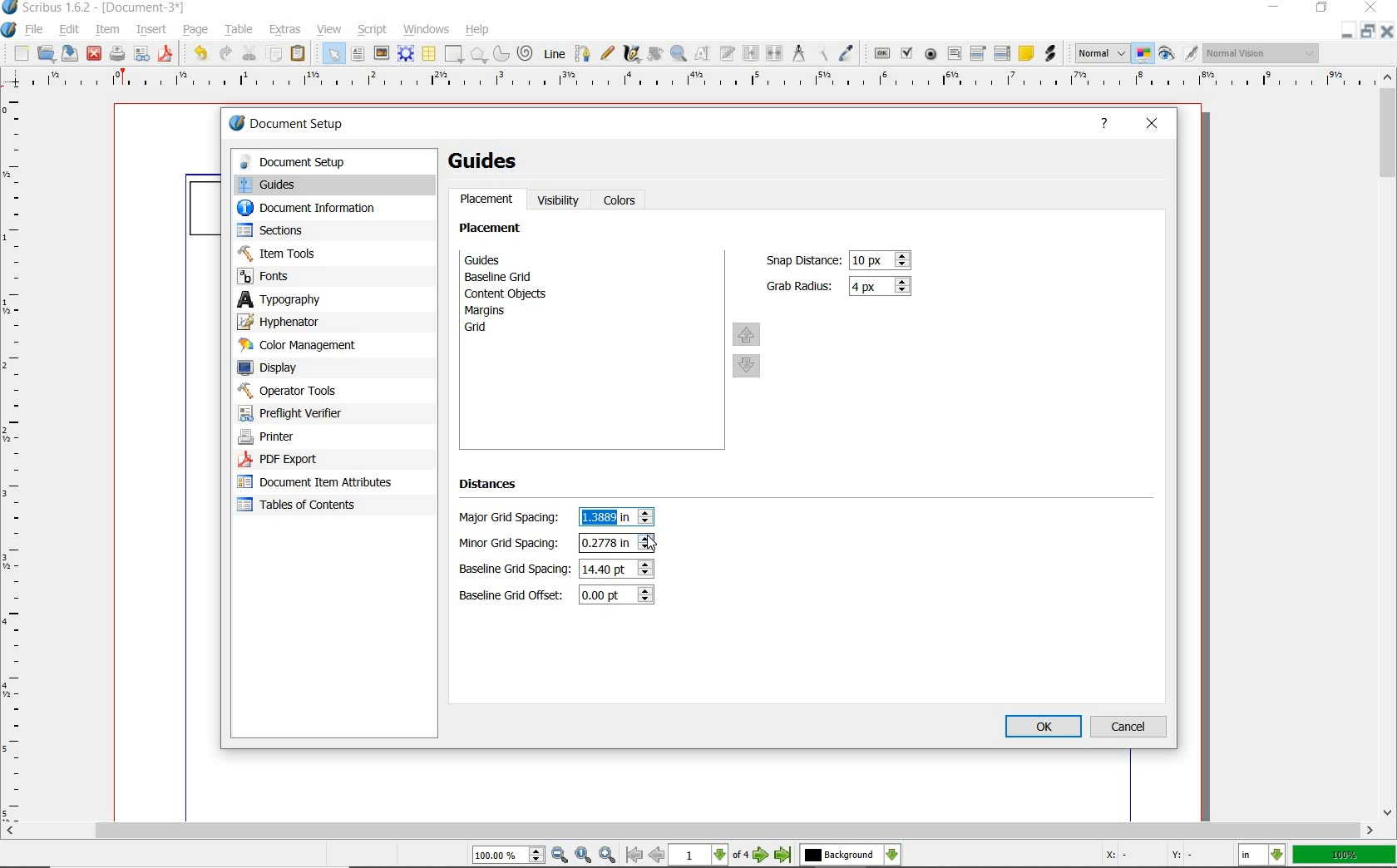 The image size is (1397, 868). I want to click on system logo, so click(9, 31).